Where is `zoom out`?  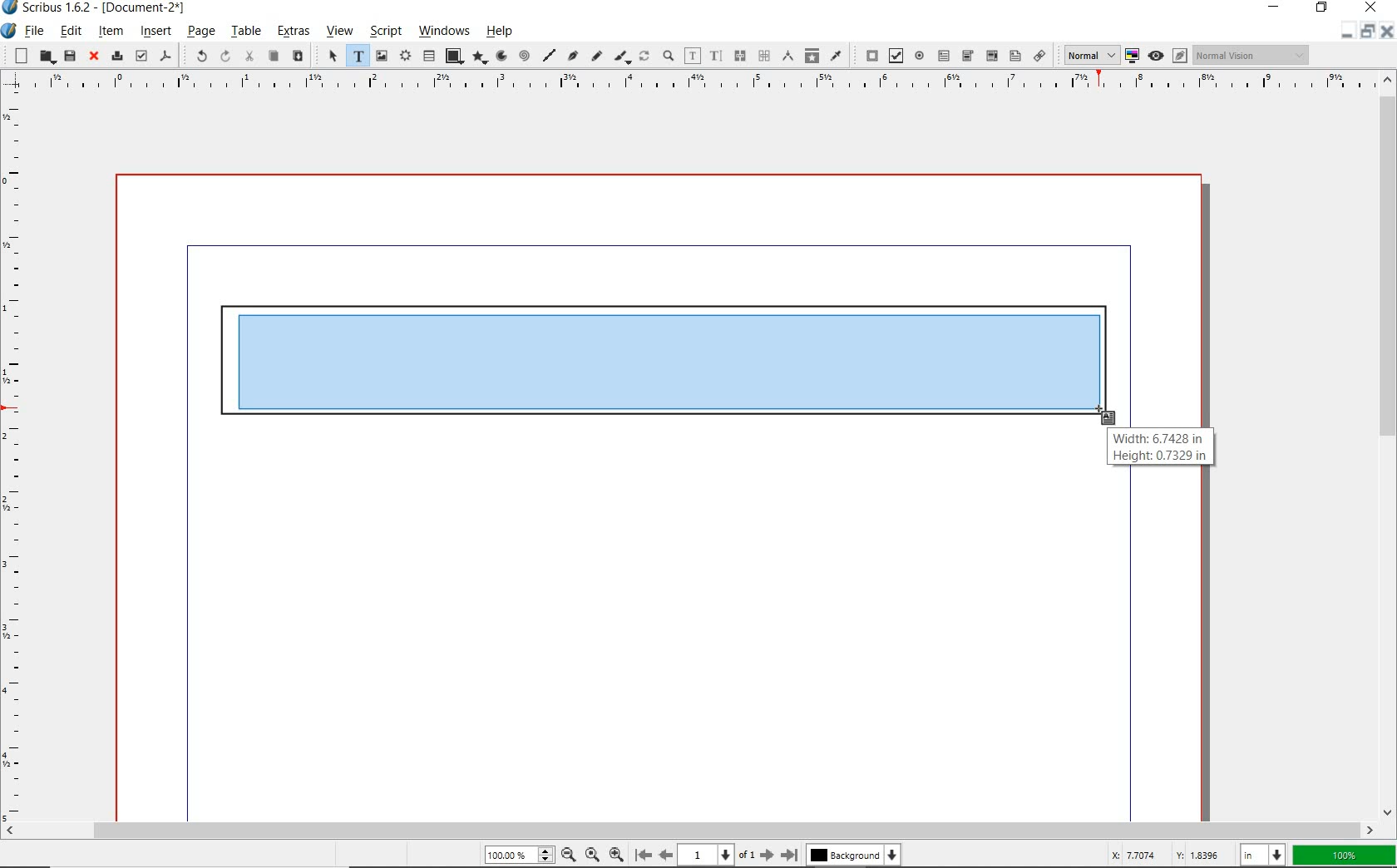
zoom out is located at coordinates (616, 853).